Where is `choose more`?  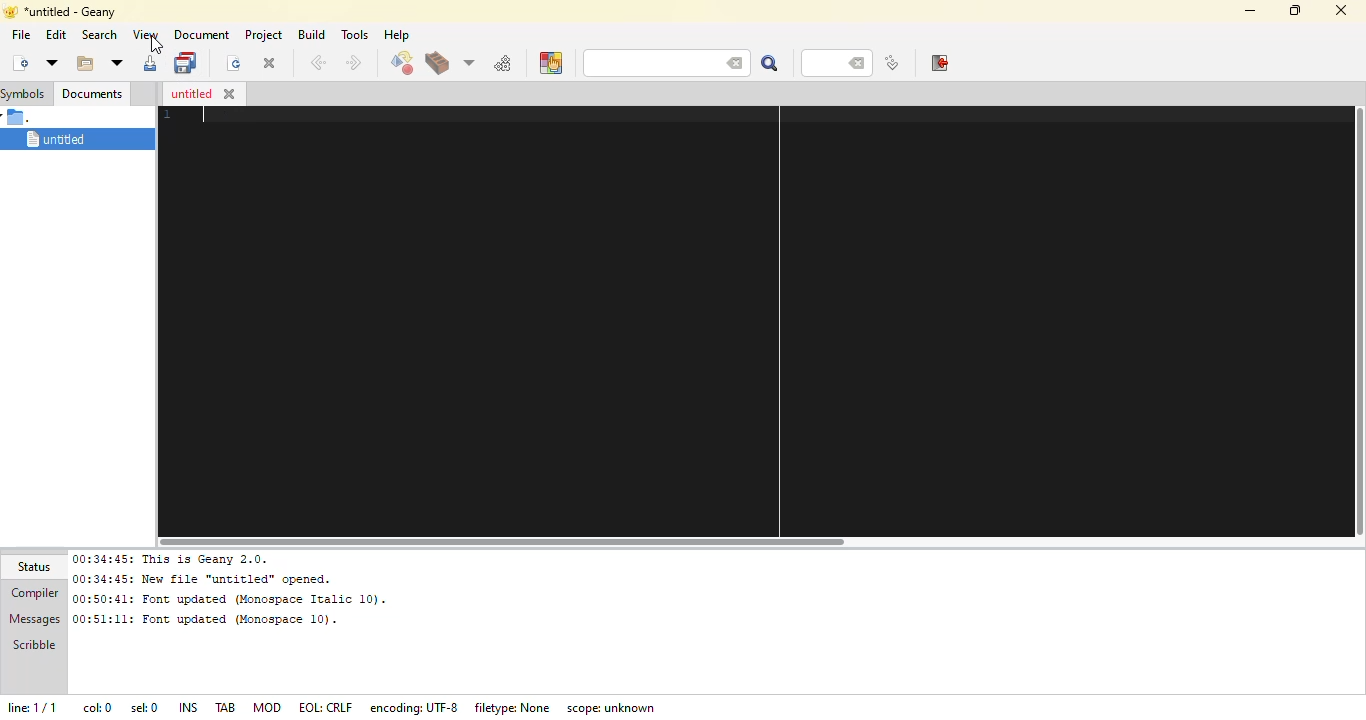
choose more is located at coordinates (467, 62).